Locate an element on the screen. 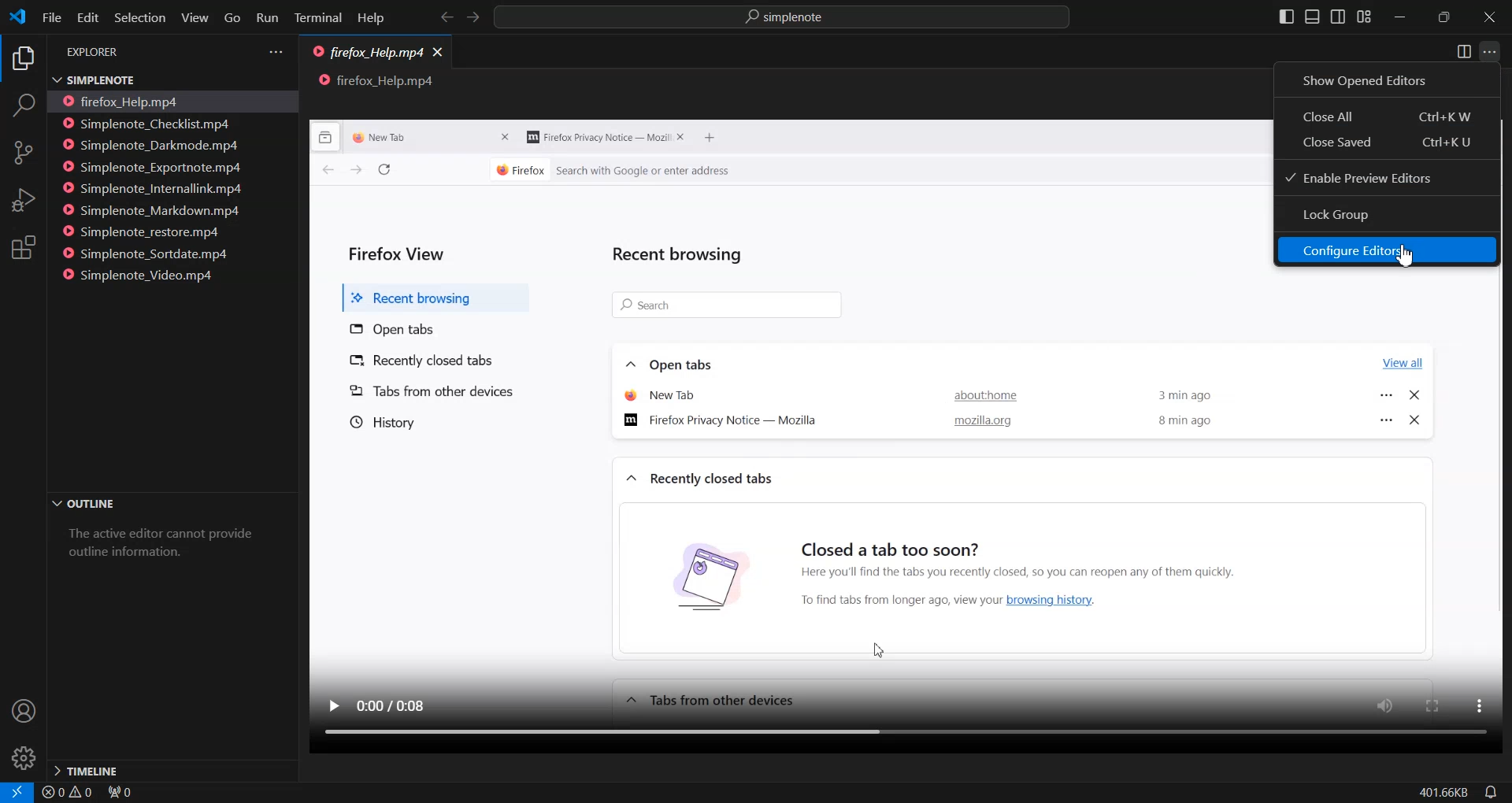  Cursor is located at coordinates (1405, 254).